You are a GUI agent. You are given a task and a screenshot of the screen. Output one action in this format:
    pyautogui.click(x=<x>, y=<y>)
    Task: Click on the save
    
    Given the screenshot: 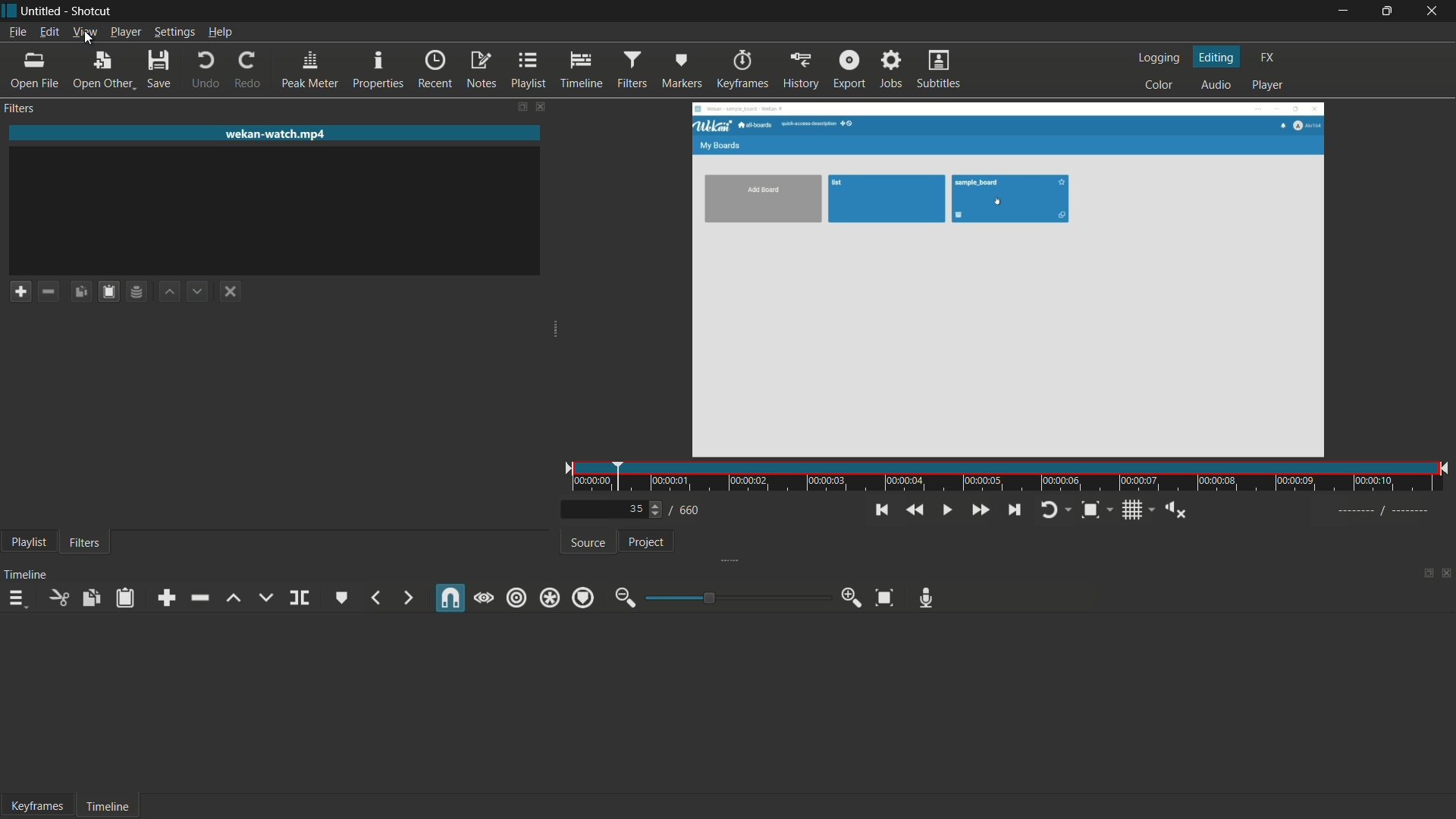 What is the action you would take?
    pyautogui.click(x=161, y=71)
    